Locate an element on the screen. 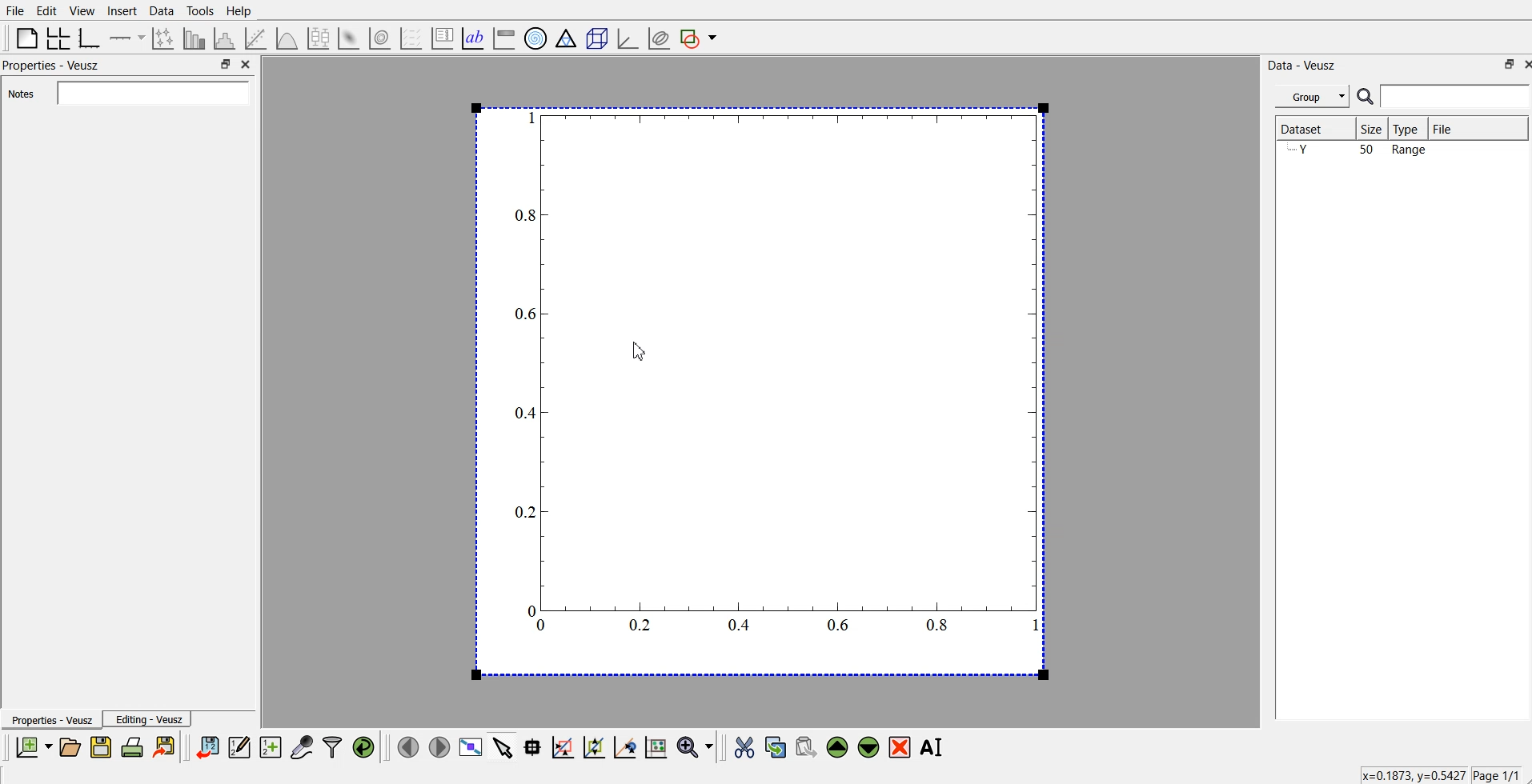 The height and width of the screenshot is (784, 1532). plot a function is located at coordinates (288, 36).